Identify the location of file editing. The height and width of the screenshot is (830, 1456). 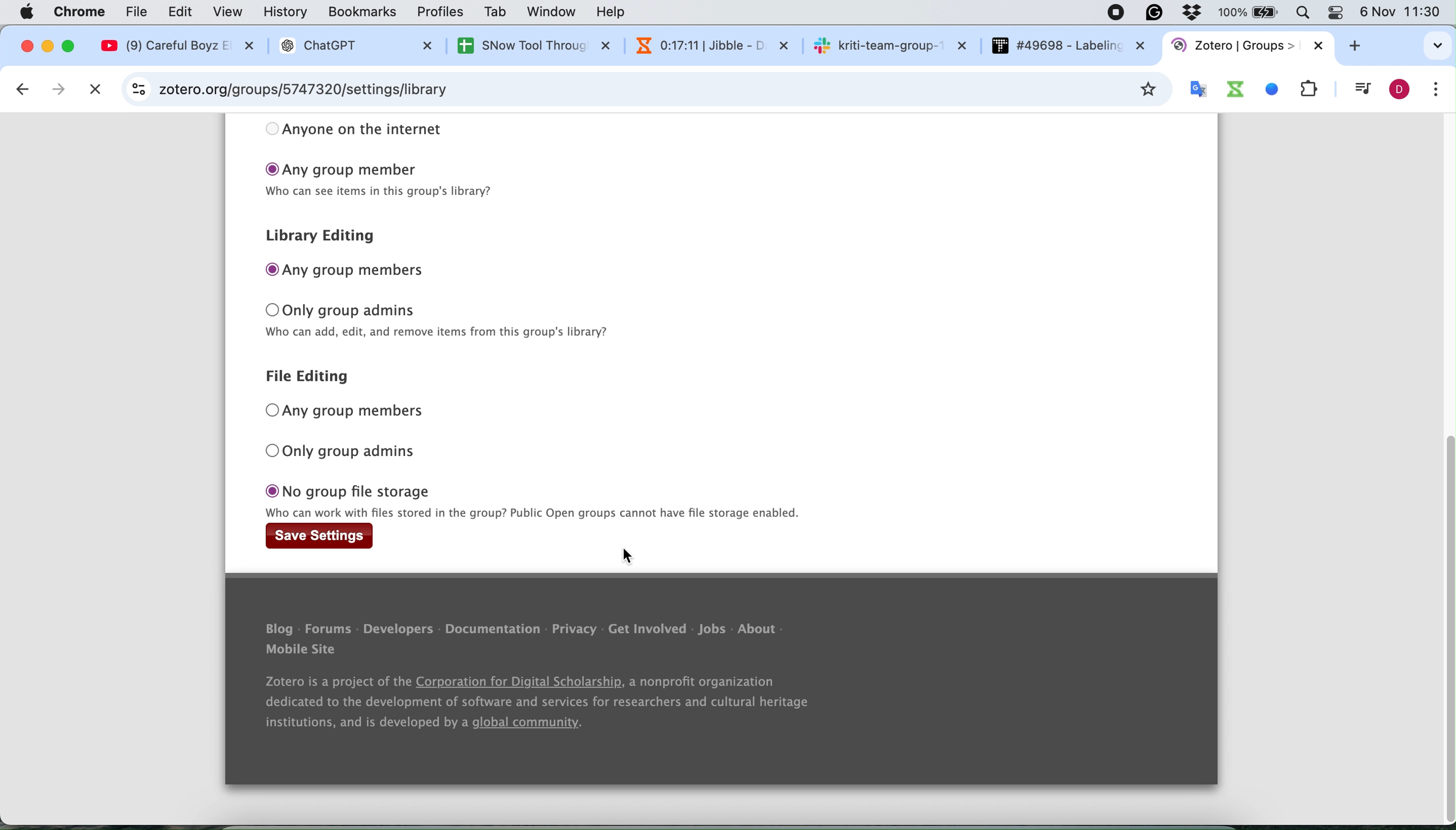
(303, 373).